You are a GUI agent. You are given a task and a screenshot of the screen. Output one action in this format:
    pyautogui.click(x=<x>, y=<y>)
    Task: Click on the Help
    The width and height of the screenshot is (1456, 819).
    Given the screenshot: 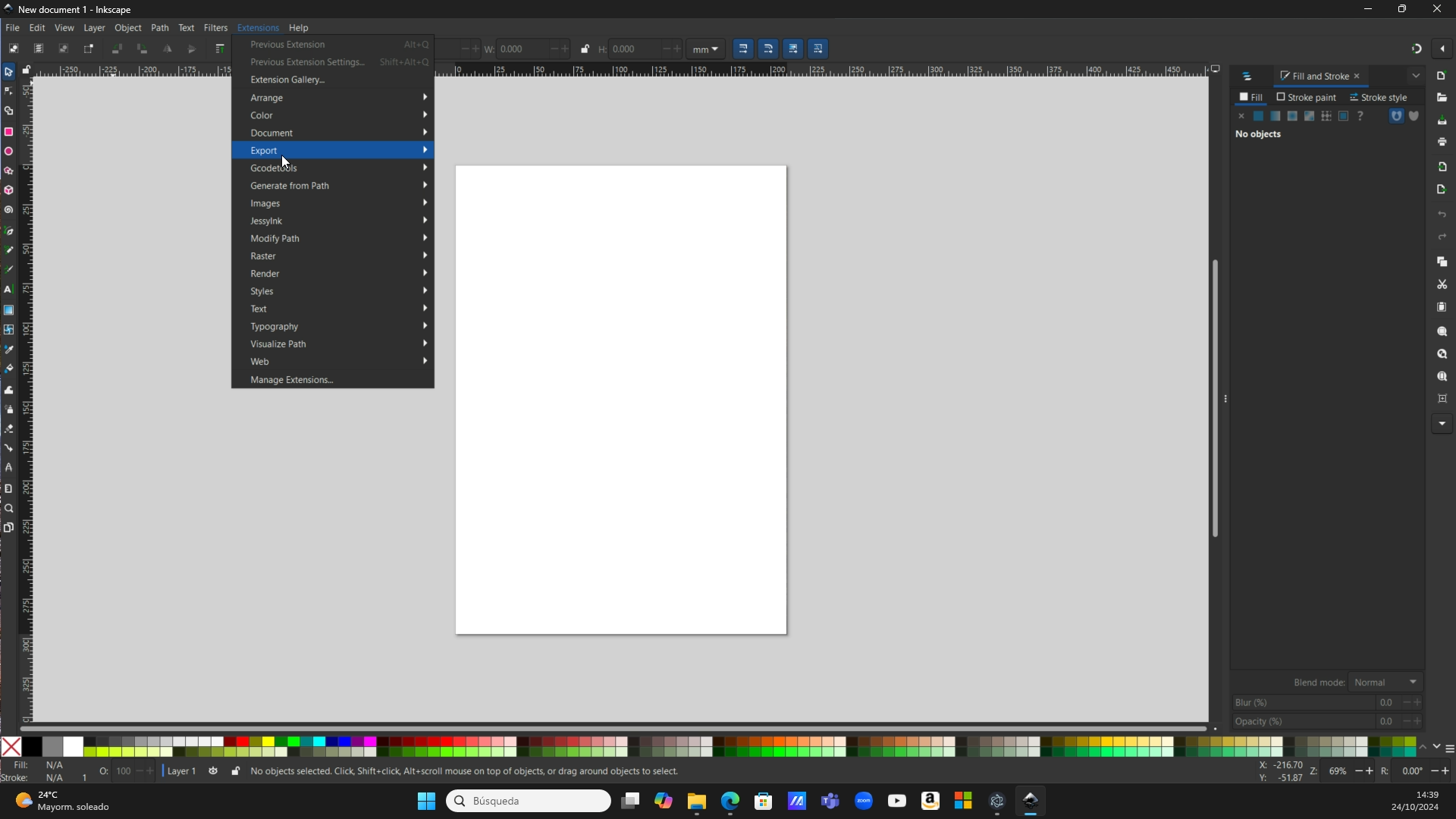 What is the action you would take?
    pyautogui.click(x=303, y=27)
    